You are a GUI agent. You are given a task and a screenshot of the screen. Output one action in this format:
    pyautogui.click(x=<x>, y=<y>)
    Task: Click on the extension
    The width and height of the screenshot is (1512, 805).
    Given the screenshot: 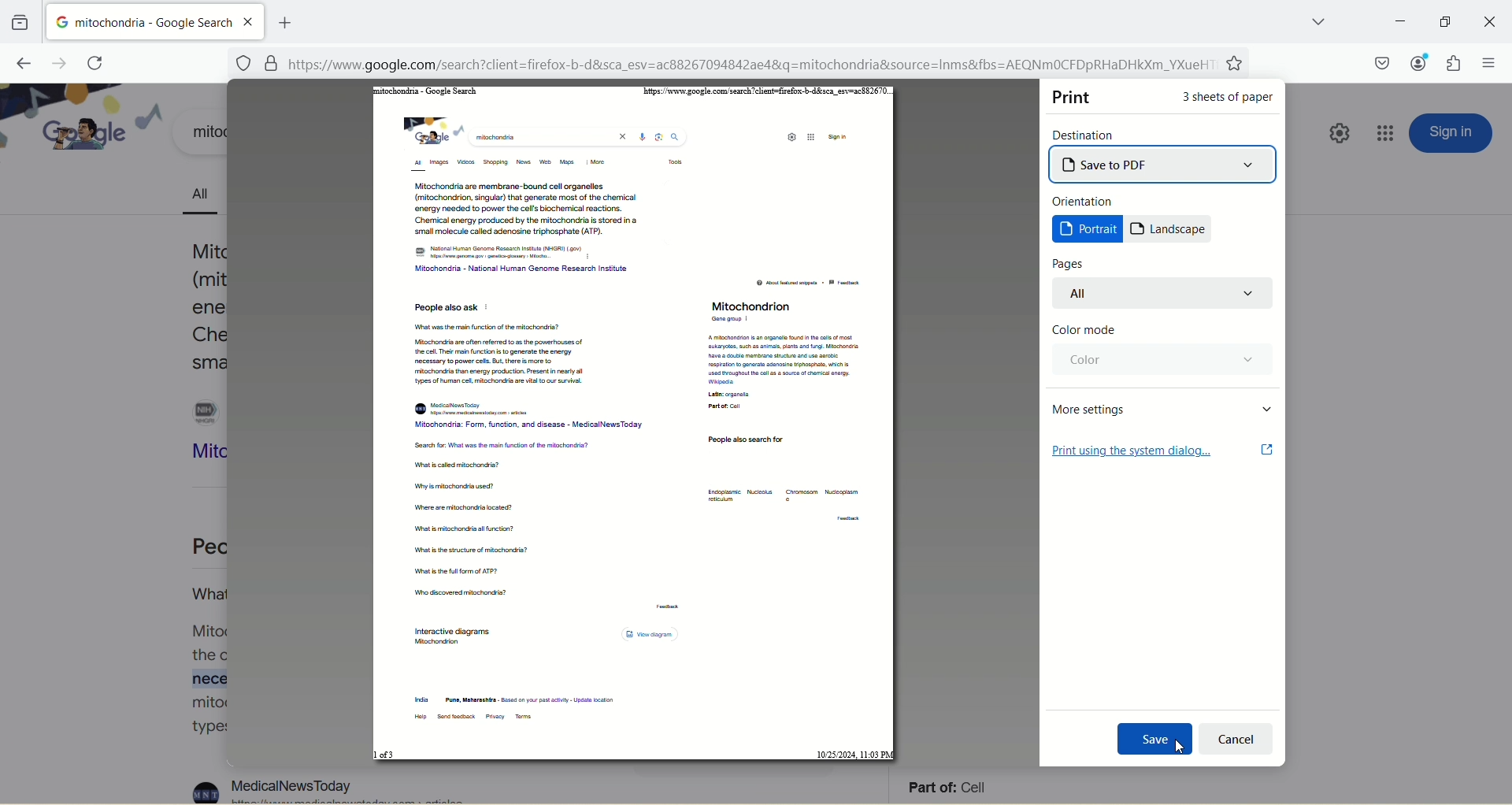 What is the action you would take?
    pyautogui.click(x=1457, y=63)
    